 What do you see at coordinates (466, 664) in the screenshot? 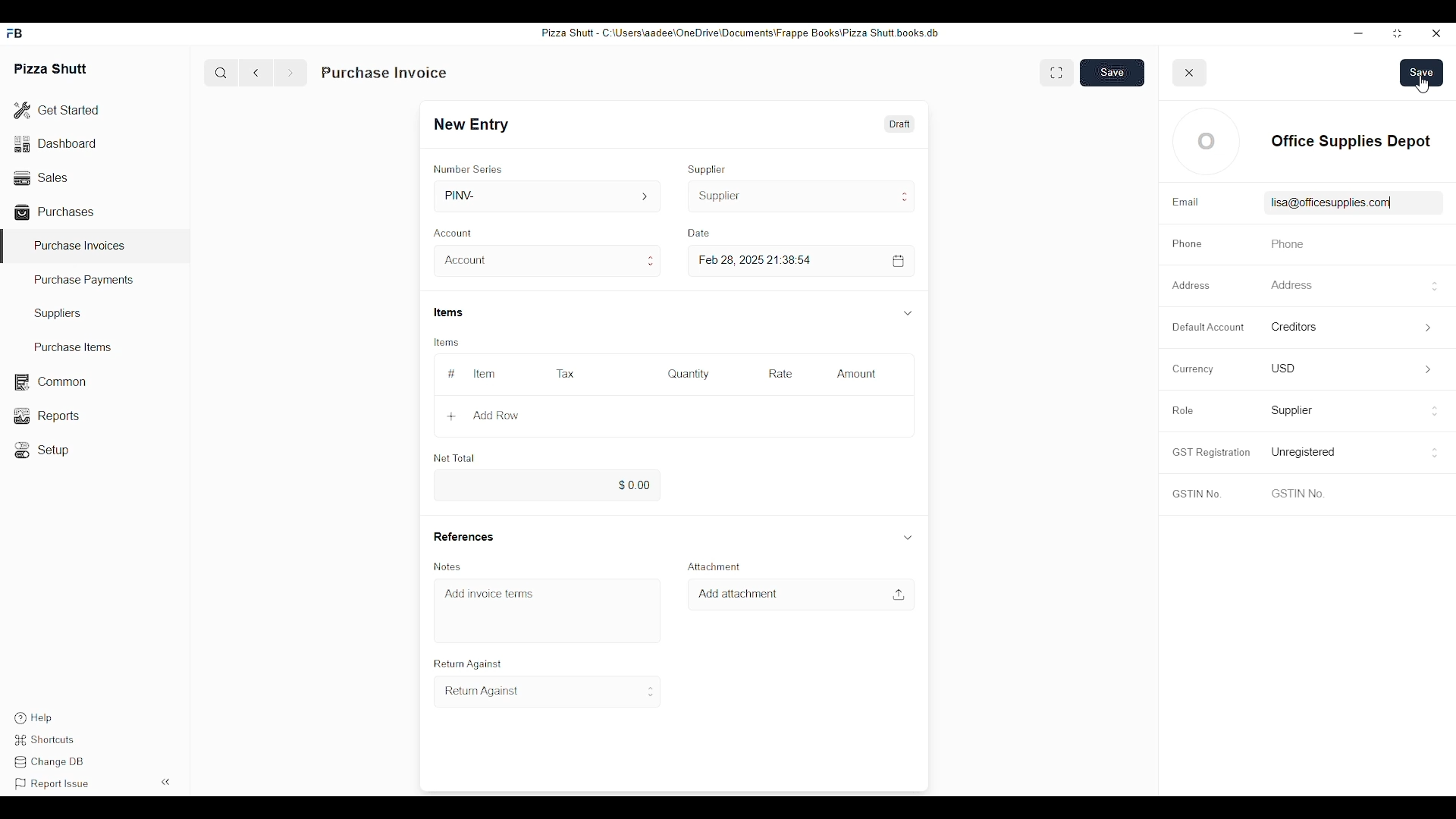
I see `Return Against` at bounding box center [466, 664].